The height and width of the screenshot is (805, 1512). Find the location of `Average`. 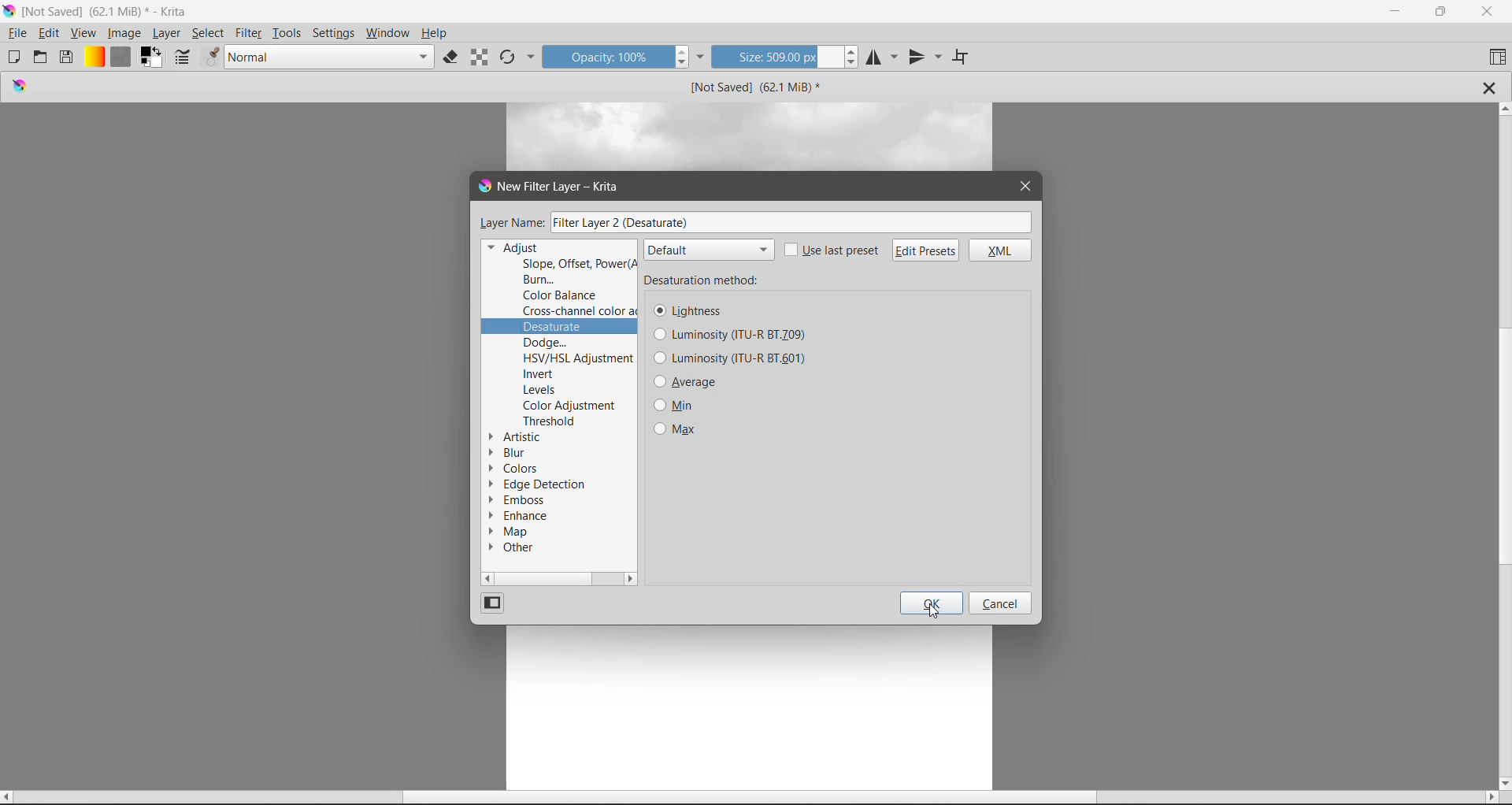

Average is located at coordinates (687, 383).